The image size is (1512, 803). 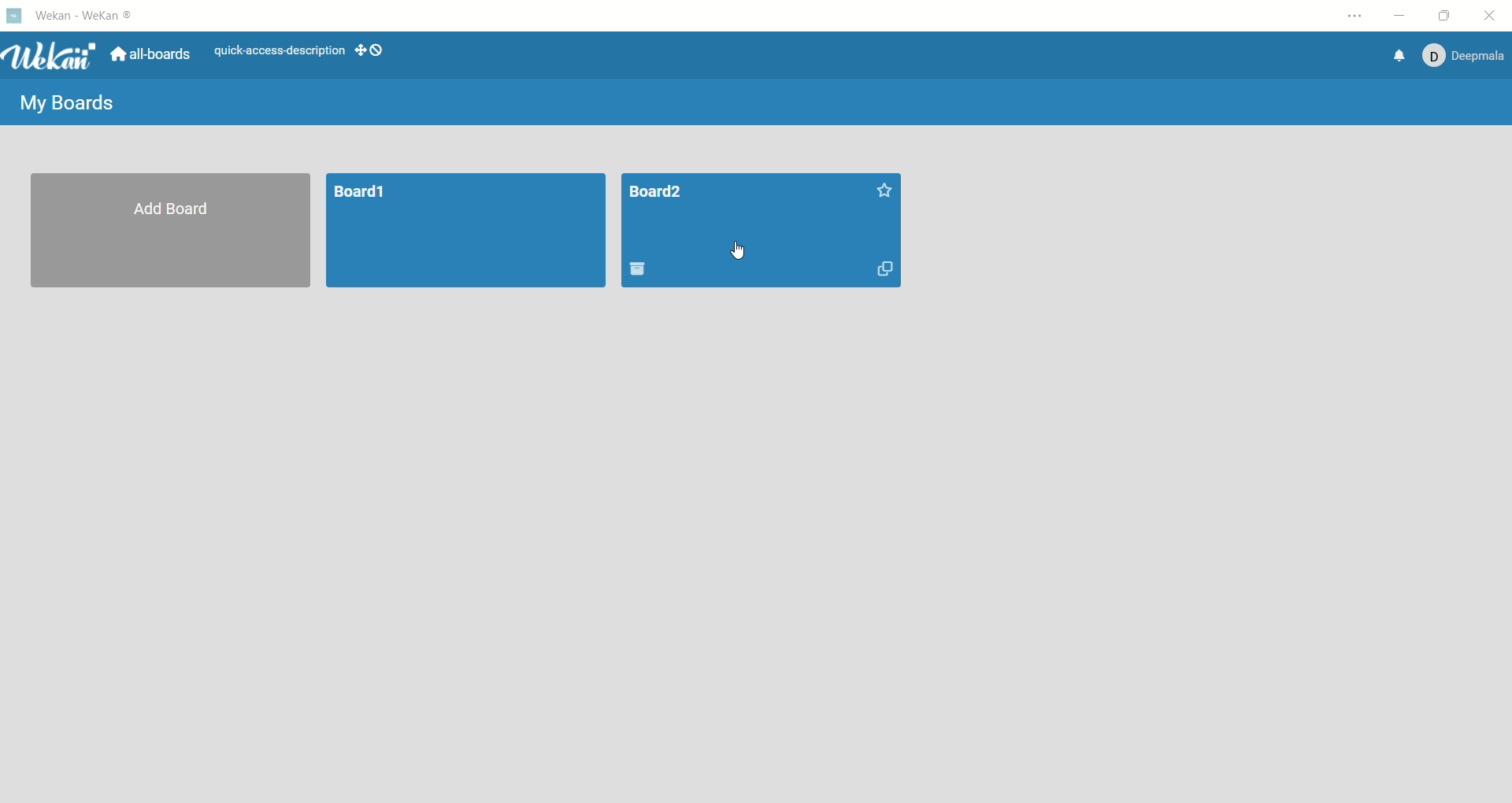 What do you see at coordinates (1395, 56) in the screenshot?
I see `notification` at bounding box center [1395, 56].